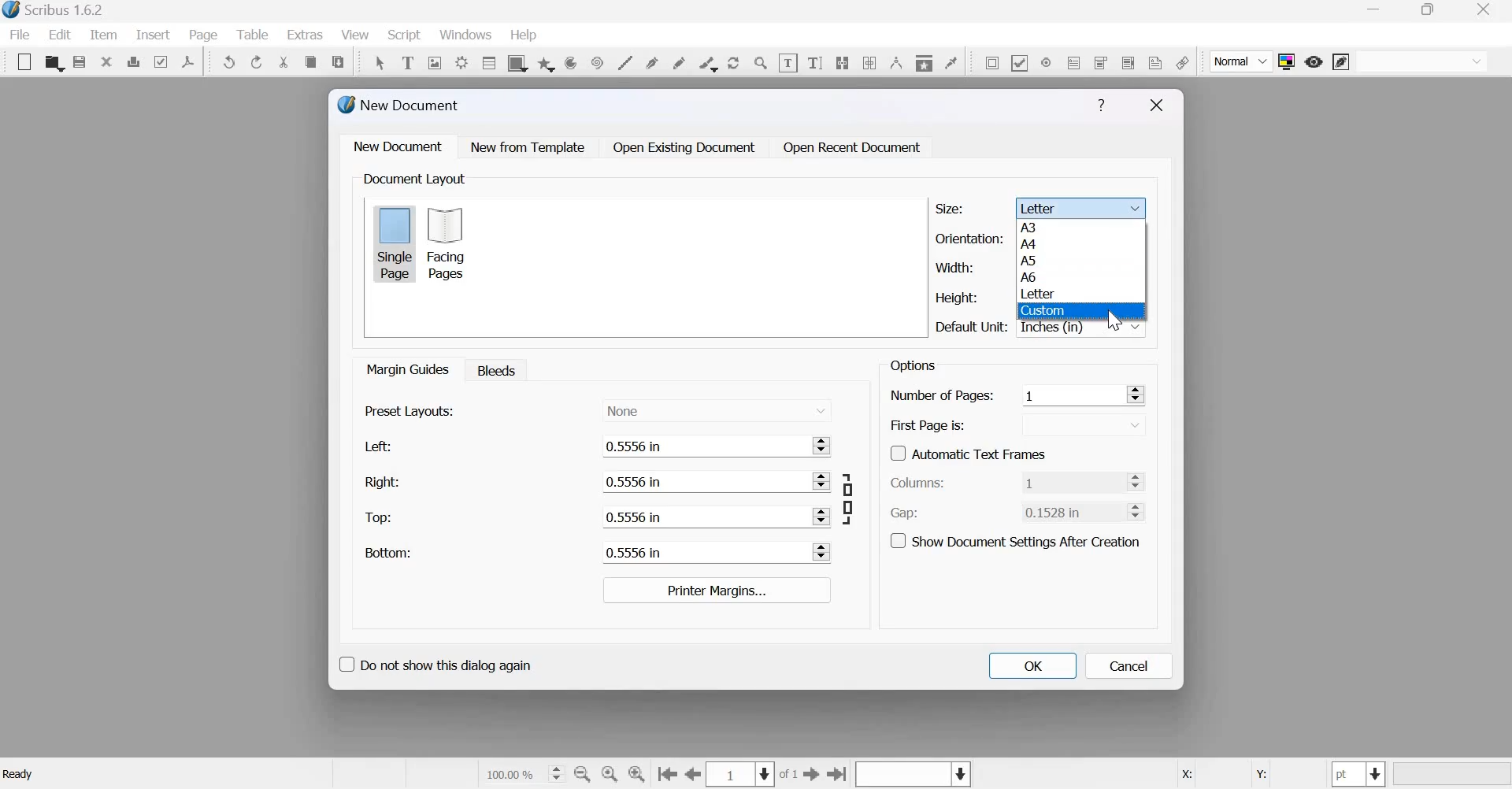 This screenshot has height=789, width=1512. Describe the element at coordinates (284, 62) in the screenshot. I see `cut` at that location.